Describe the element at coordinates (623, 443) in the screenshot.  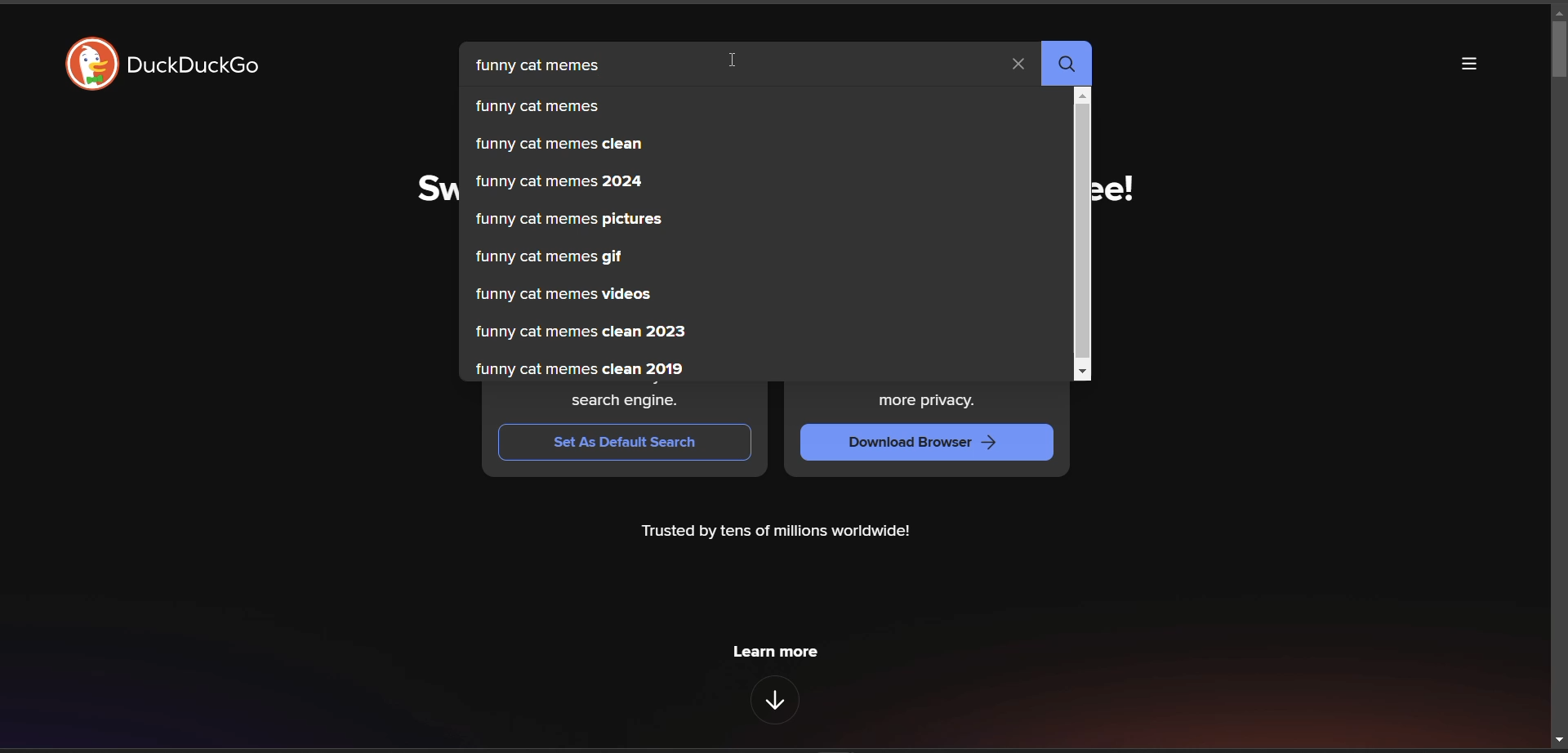
I see `Set As Default Search` at that location.